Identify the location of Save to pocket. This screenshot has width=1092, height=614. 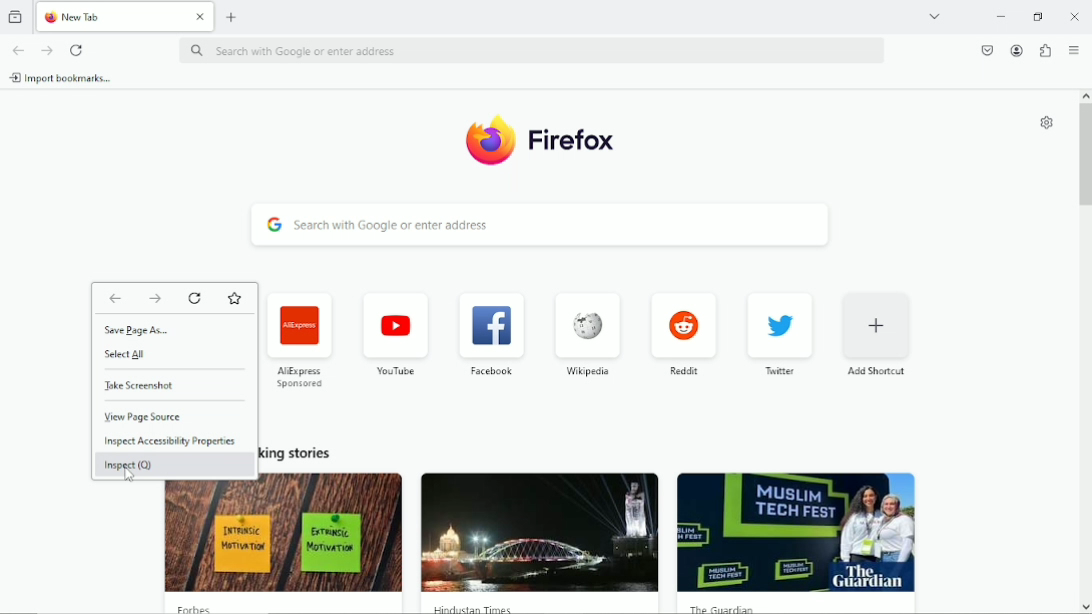
(984, 50).